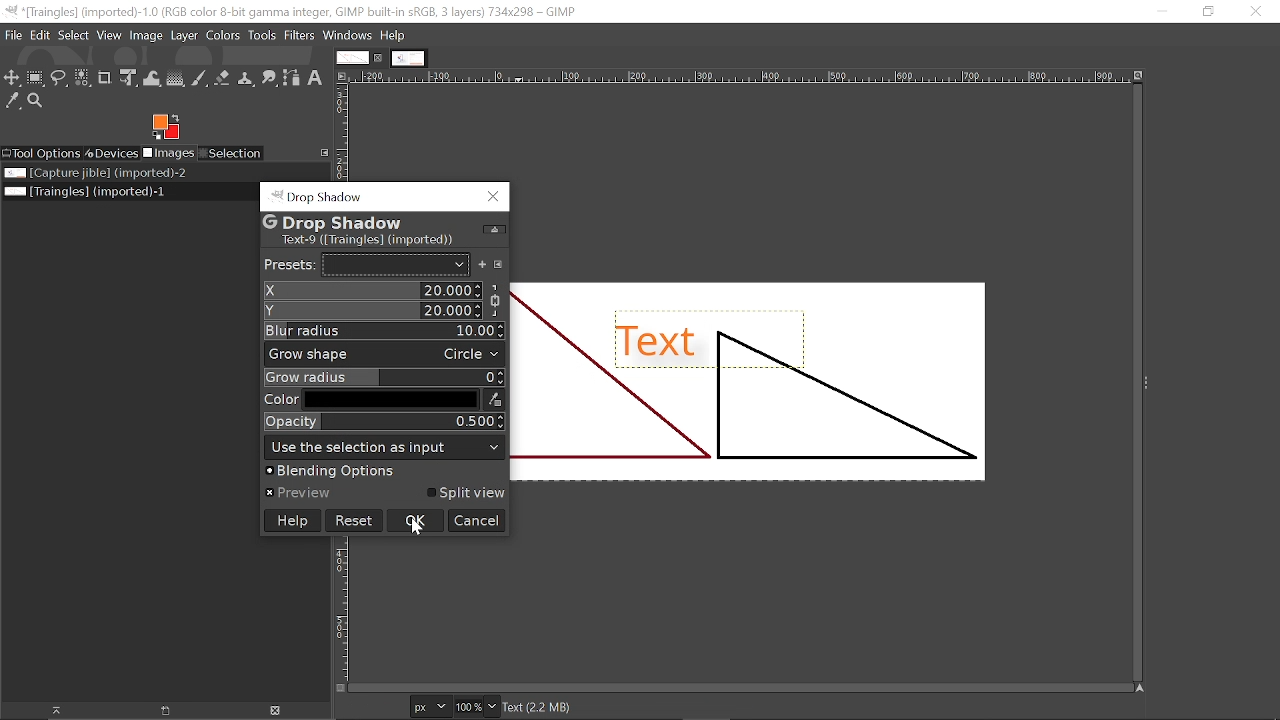  What do you see at coordinates (201, 79) in the screenshot?
I see `Paintbrush tool` at bounding box center [201, 79].